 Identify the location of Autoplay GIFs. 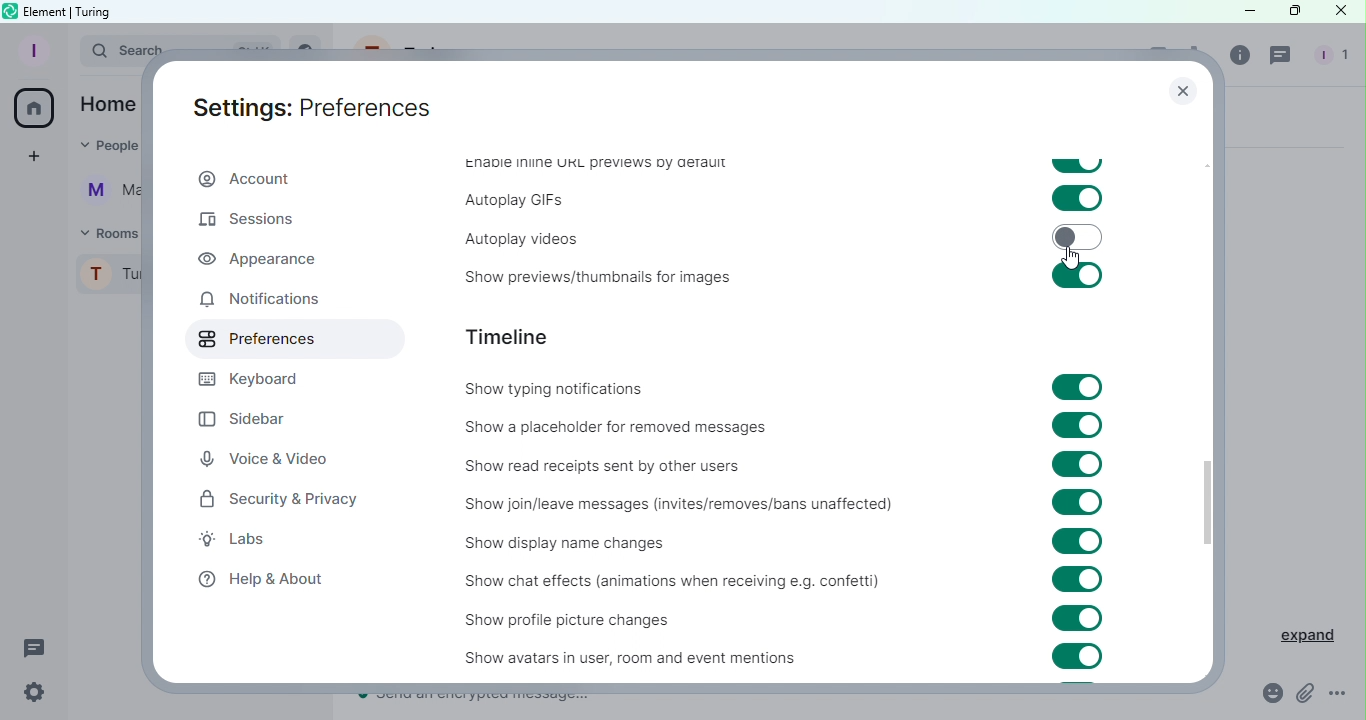
(515, 200).